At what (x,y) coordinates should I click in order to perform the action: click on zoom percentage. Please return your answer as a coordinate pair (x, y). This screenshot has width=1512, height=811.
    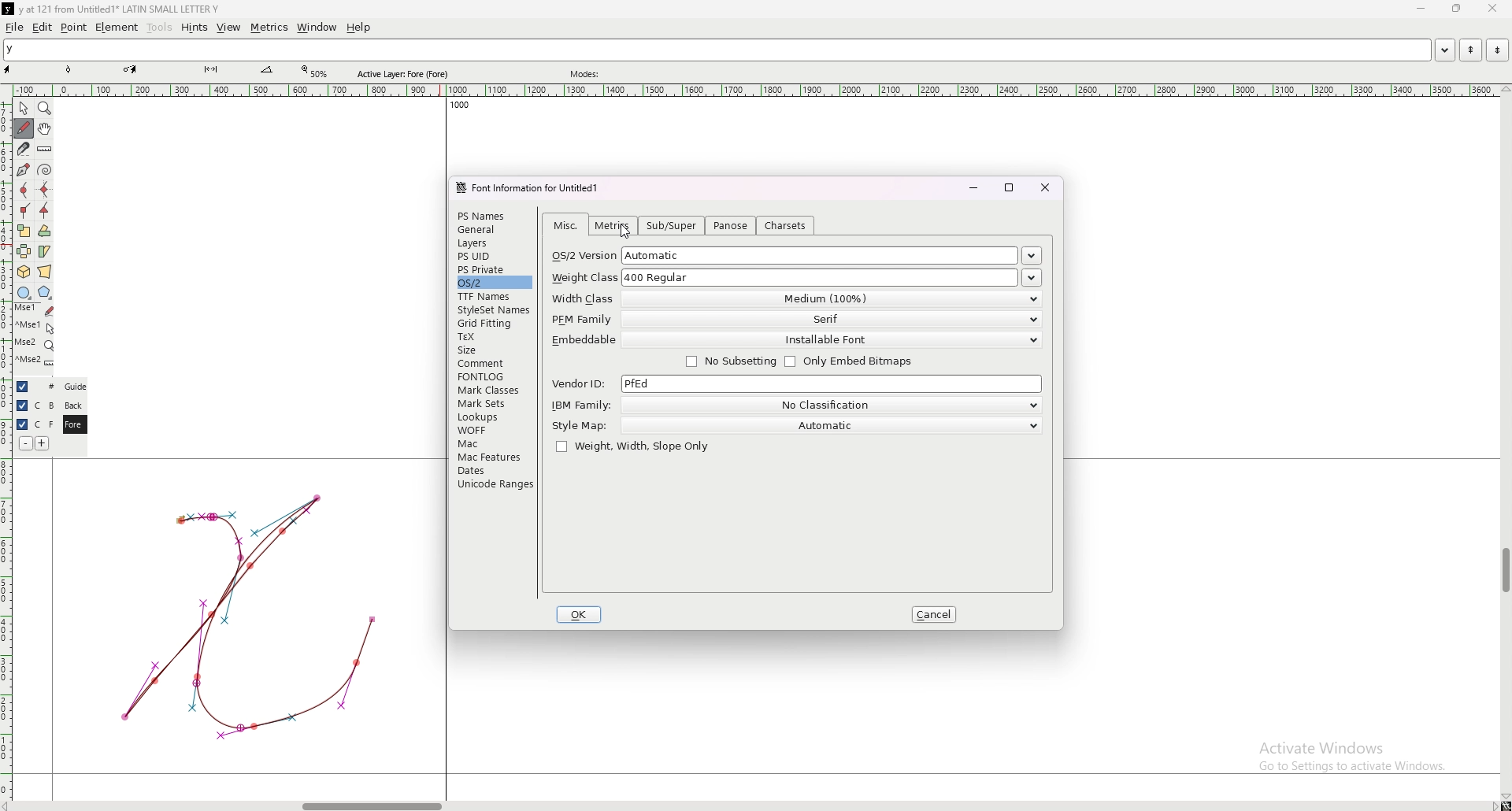
    Looking at the image, I should click on (317, 72).